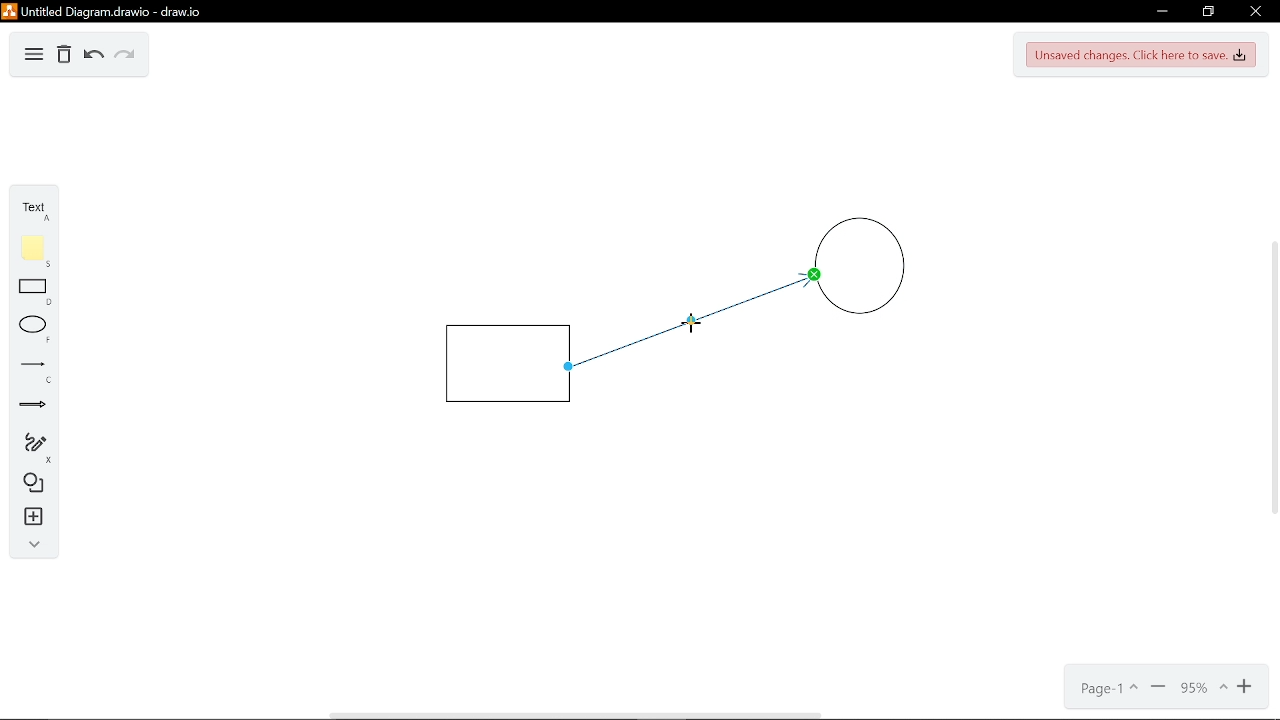  Describe the element at coordinates (30, 544) in the screenshot. I see `Collapse` at that location.